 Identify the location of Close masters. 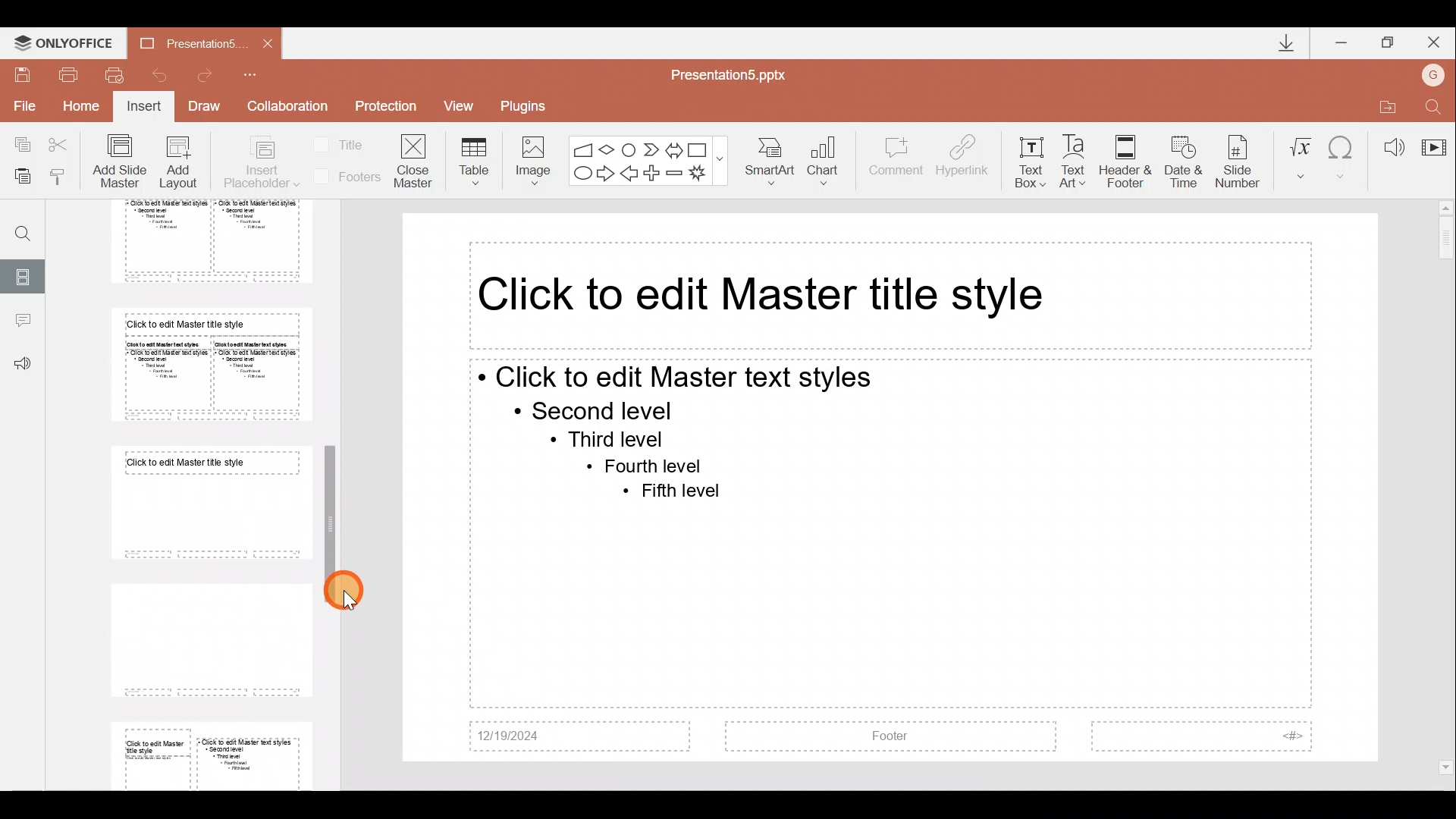
(415, 160).